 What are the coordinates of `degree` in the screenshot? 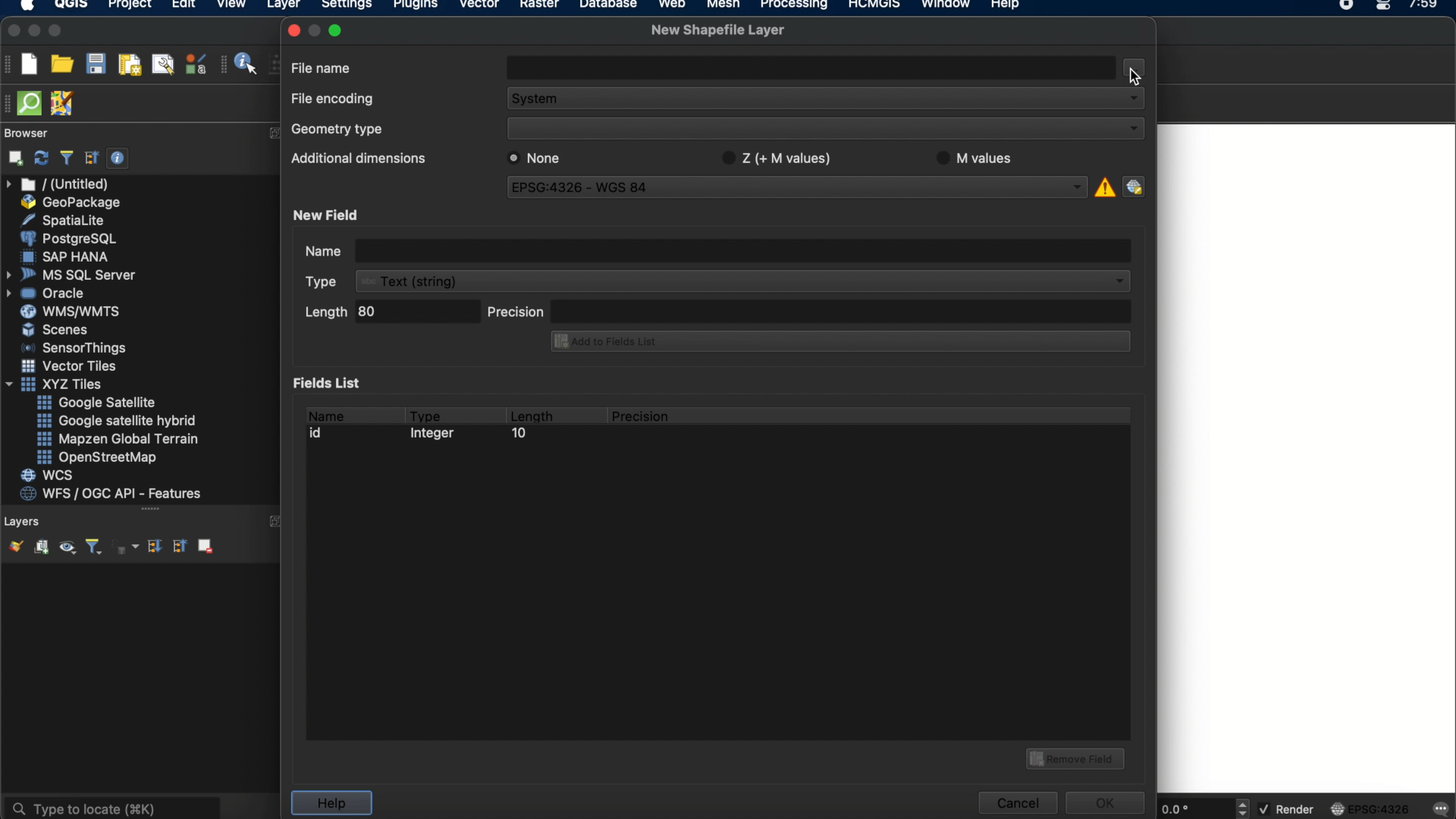 It's located at (1192, 808).